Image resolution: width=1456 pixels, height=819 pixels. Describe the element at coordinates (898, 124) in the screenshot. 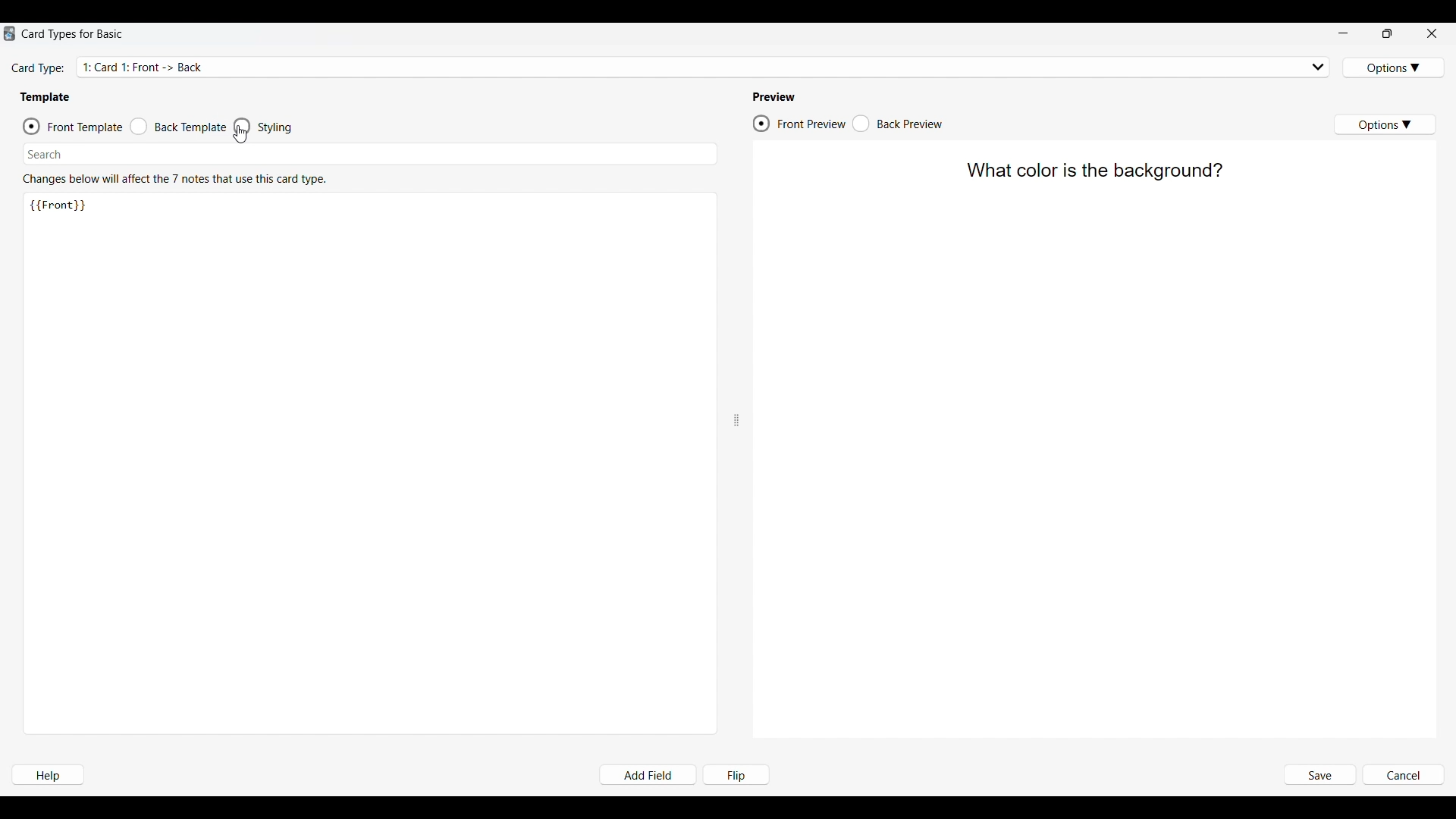

I see `Preview back of card` at that location.